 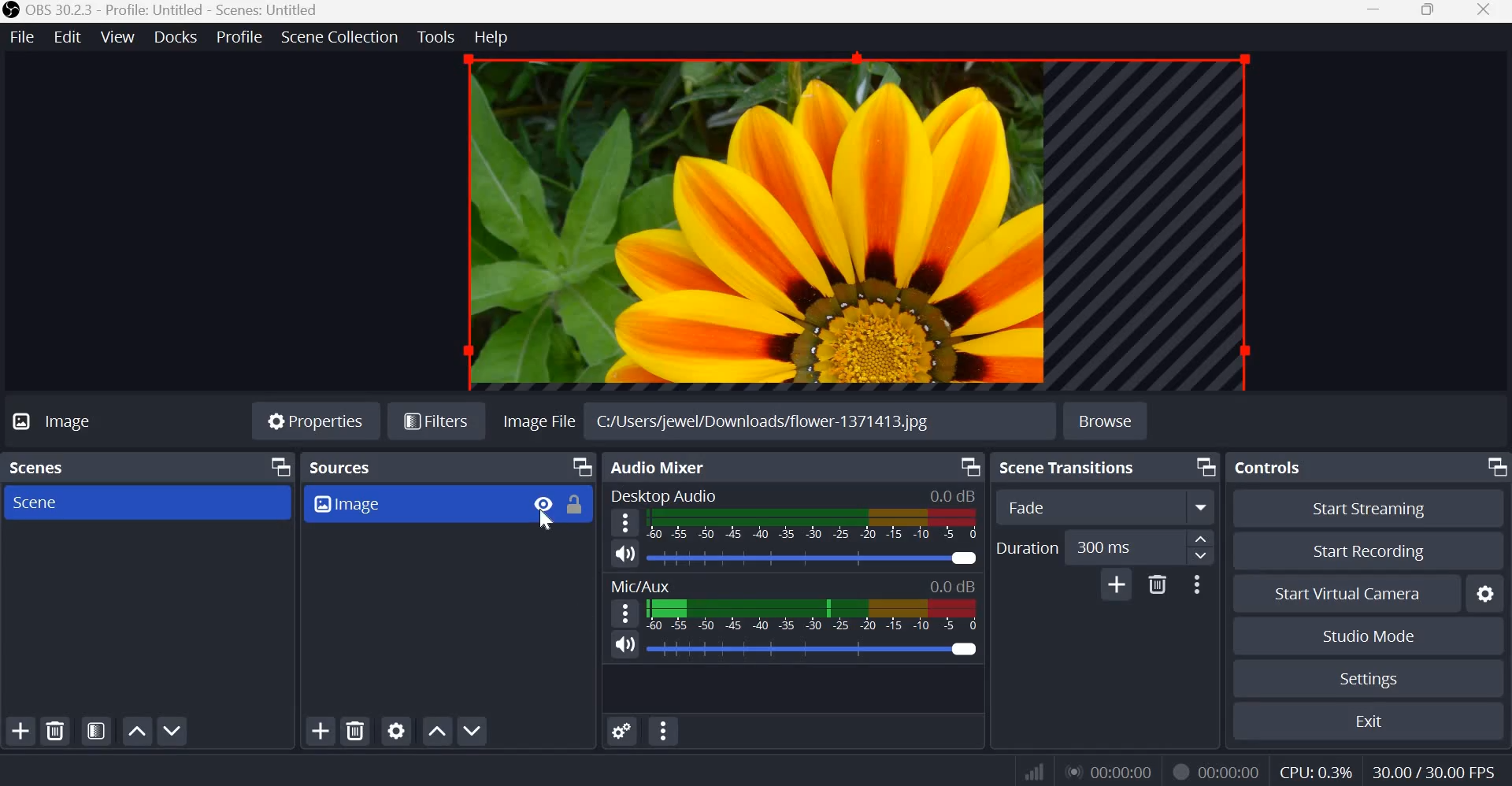 I want to click on Remove selected source(s), so click(x=358, y=732).